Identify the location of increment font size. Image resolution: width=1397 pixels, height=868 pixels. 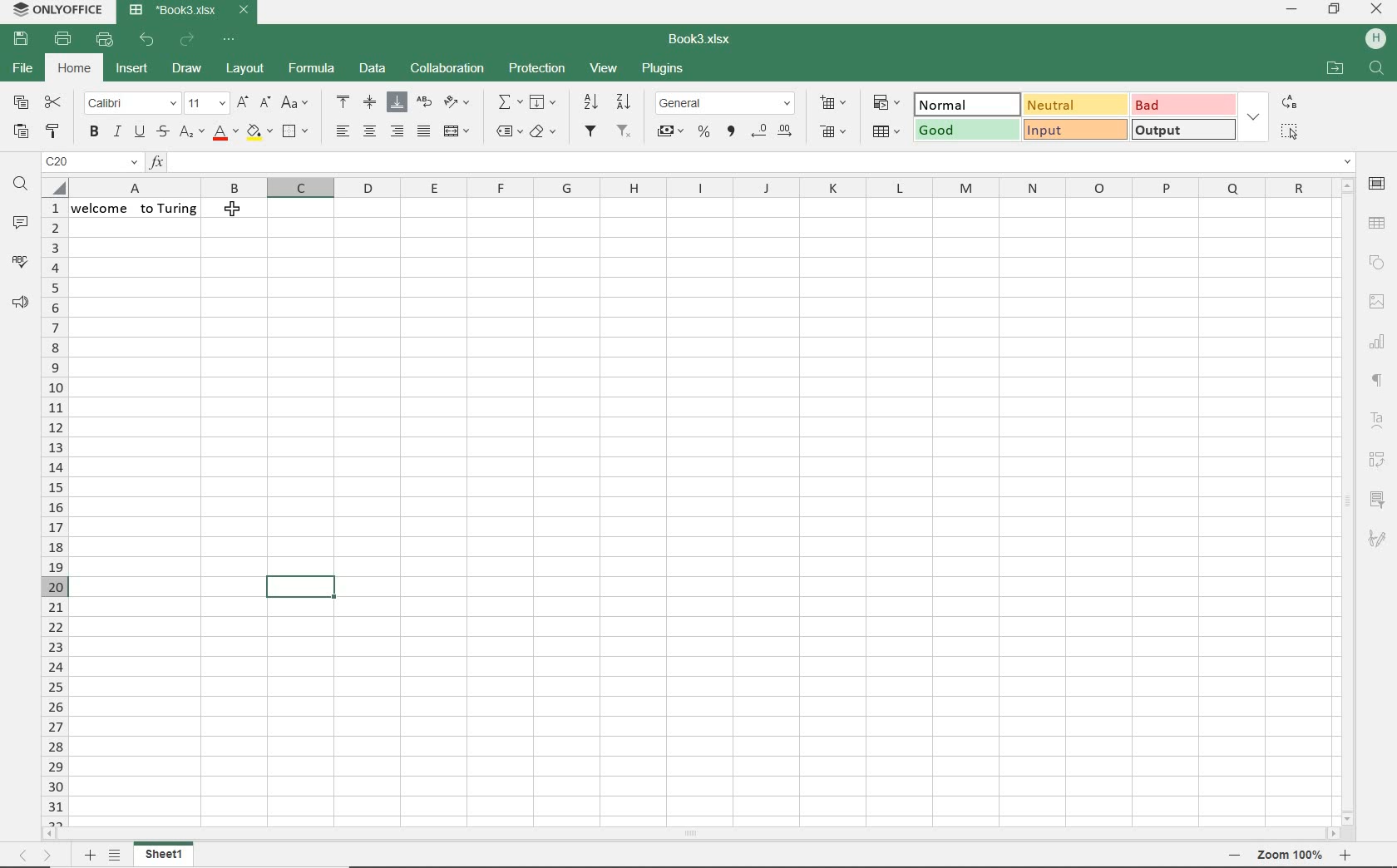
(242, 104).